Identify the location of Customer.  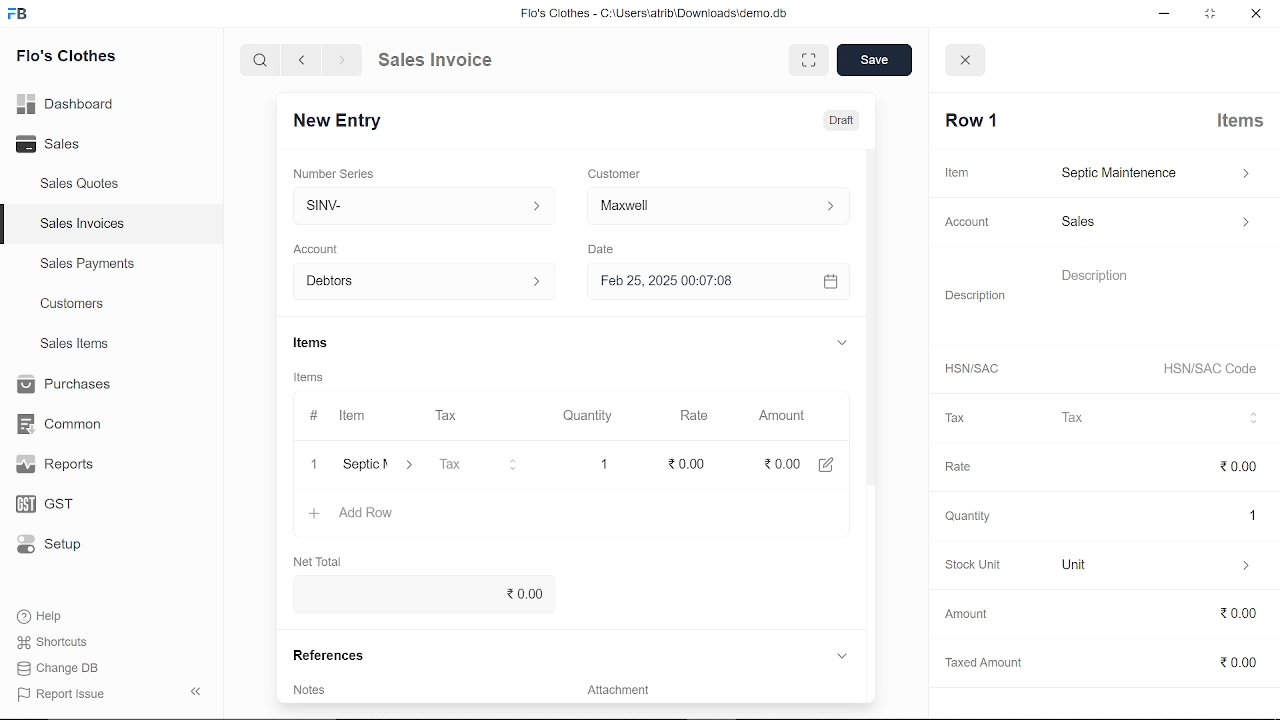
(615, 172).